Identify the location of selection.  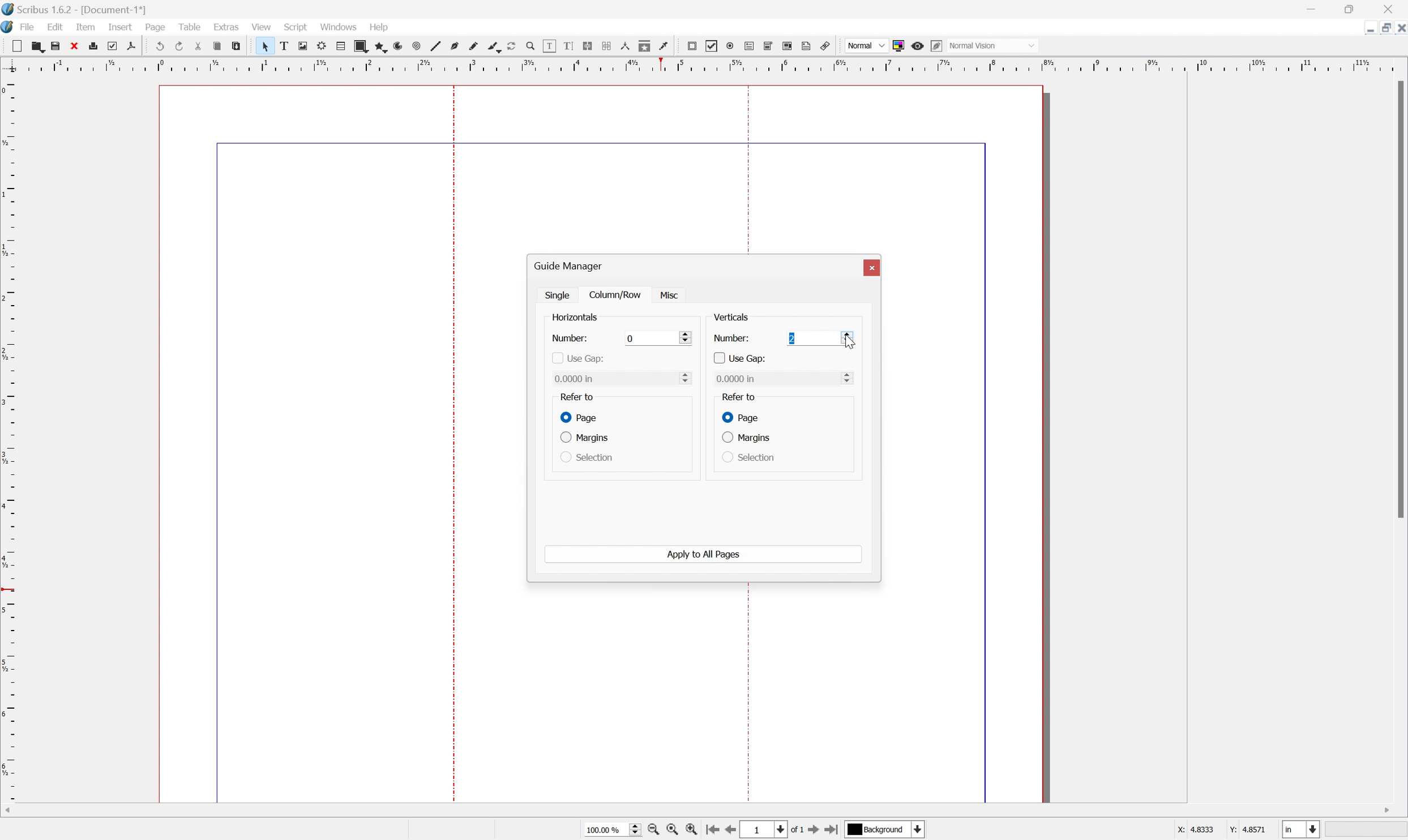
(586, 457).